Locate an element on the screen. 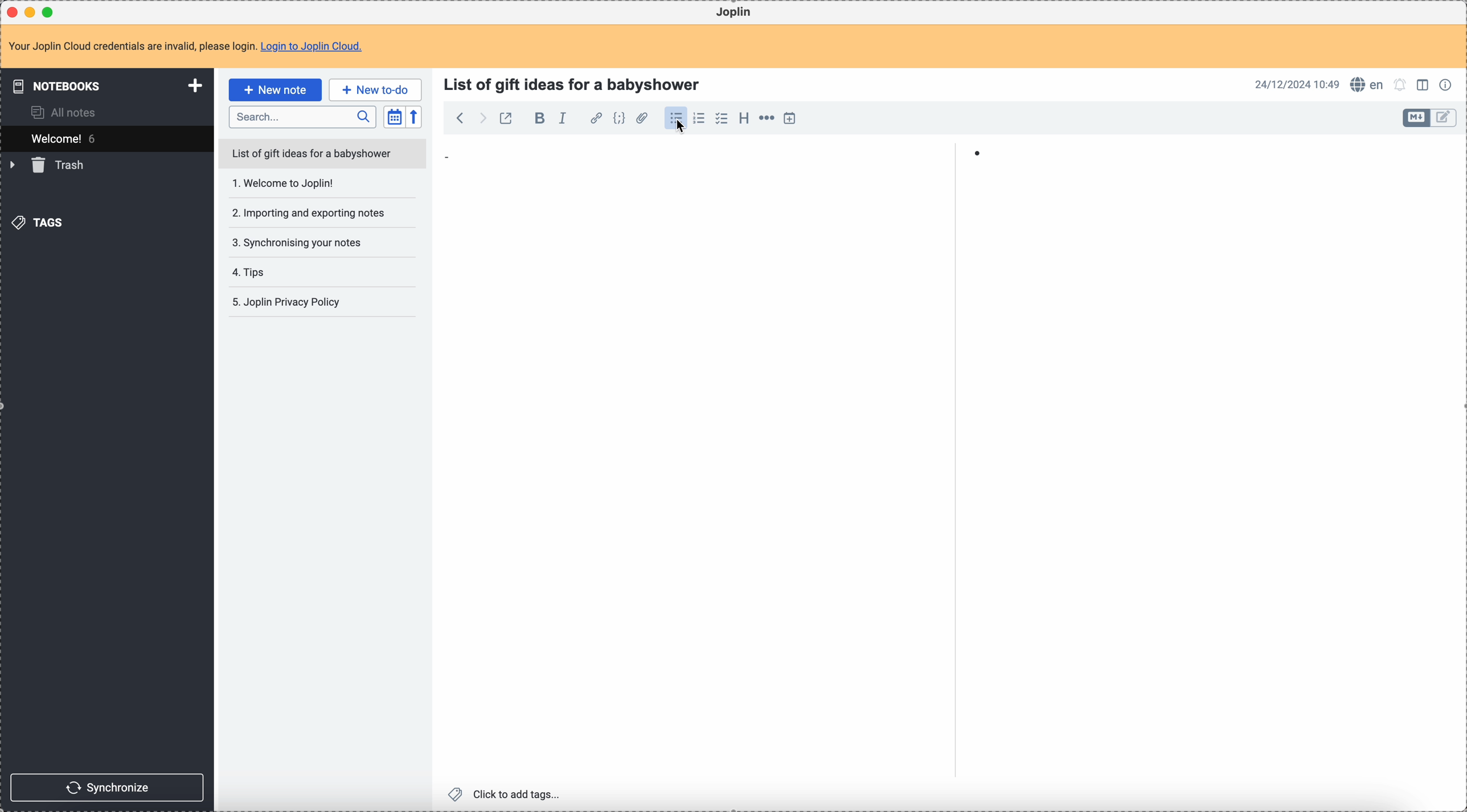 The image size is (1467, 812). bold is located at coordinates (539, 120).